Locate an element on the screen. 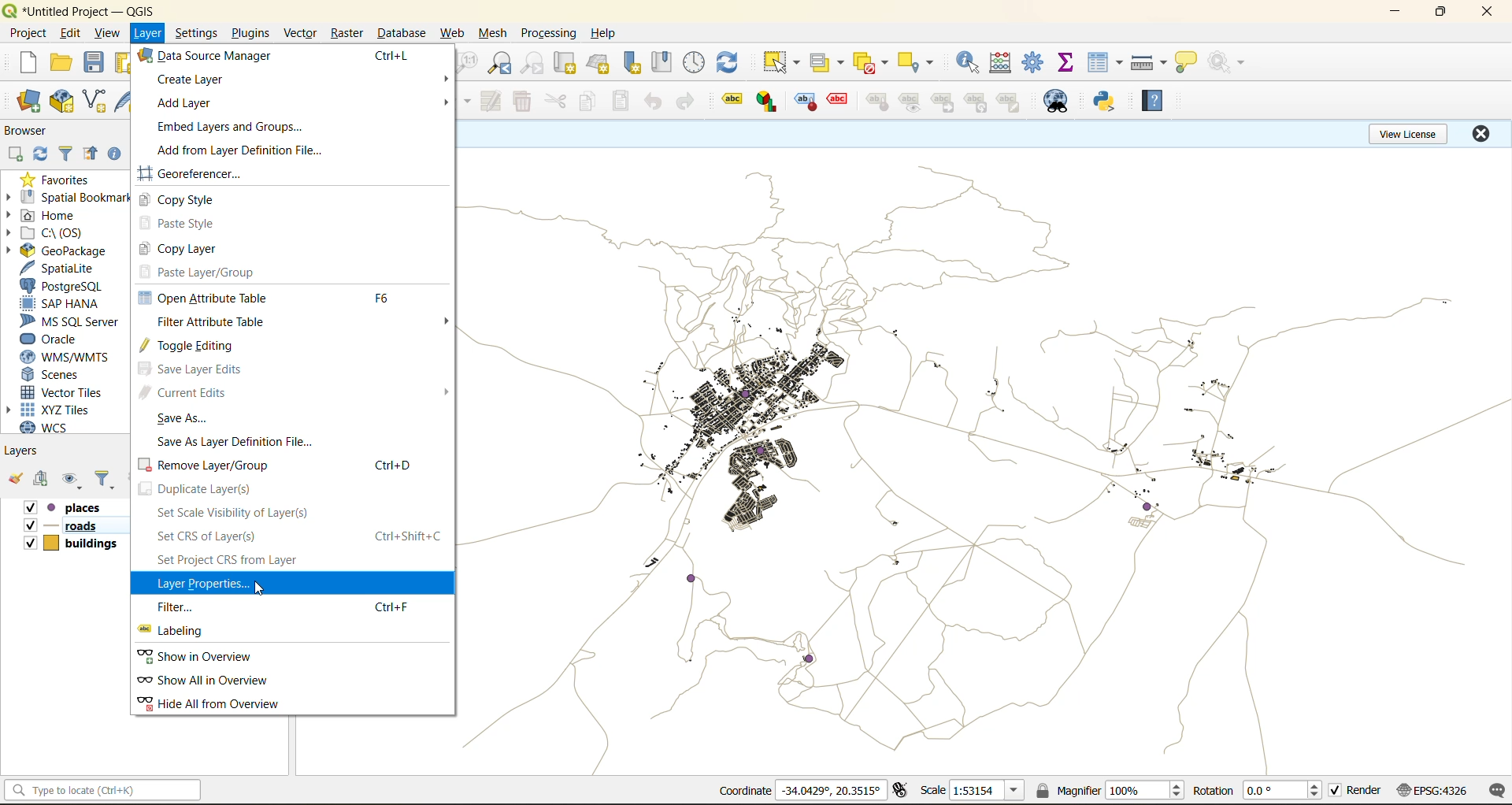  embed layers and groups is located at coordinates (228, 126).